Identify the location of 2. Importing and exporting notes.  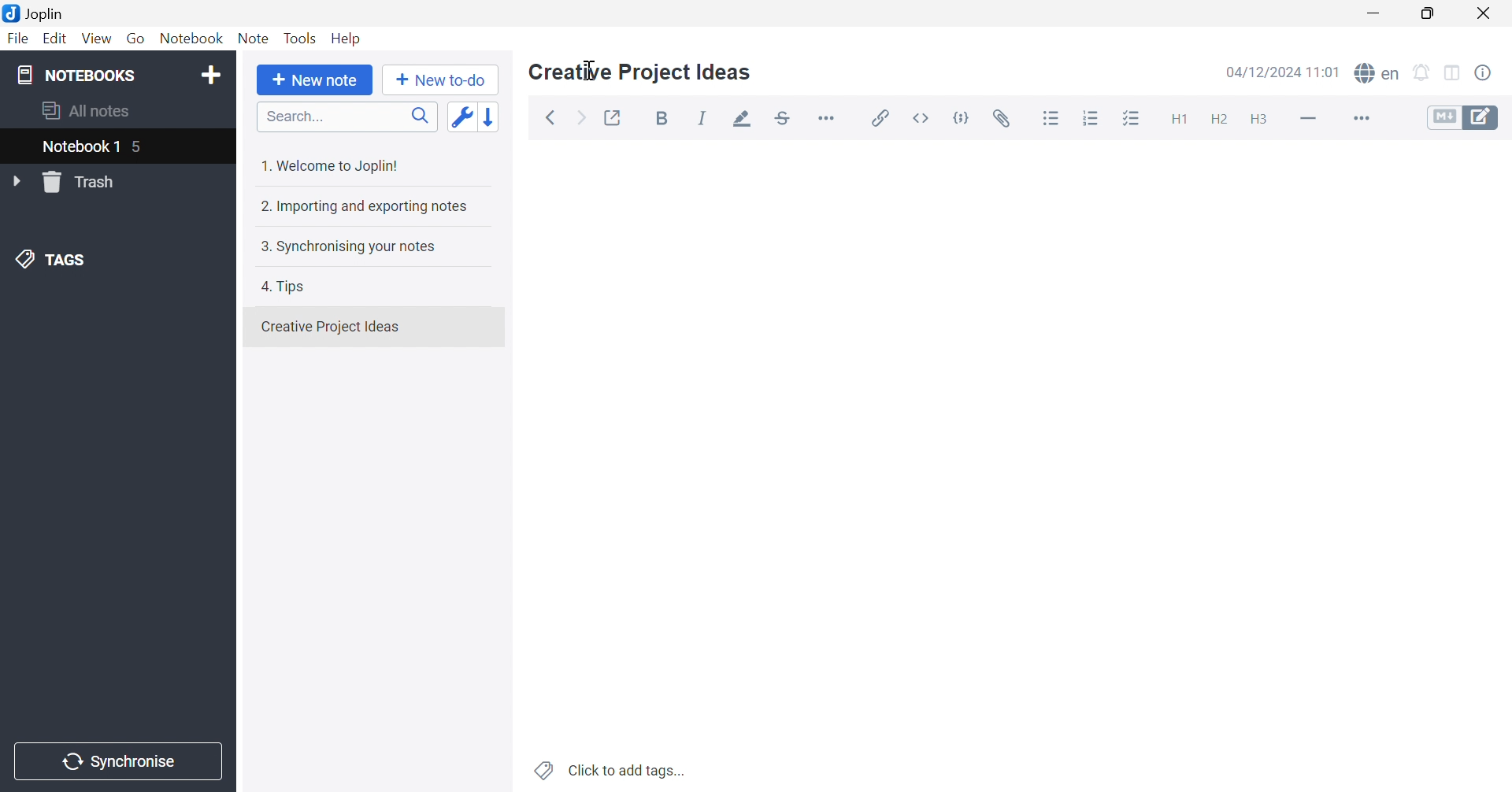
(367, 208).